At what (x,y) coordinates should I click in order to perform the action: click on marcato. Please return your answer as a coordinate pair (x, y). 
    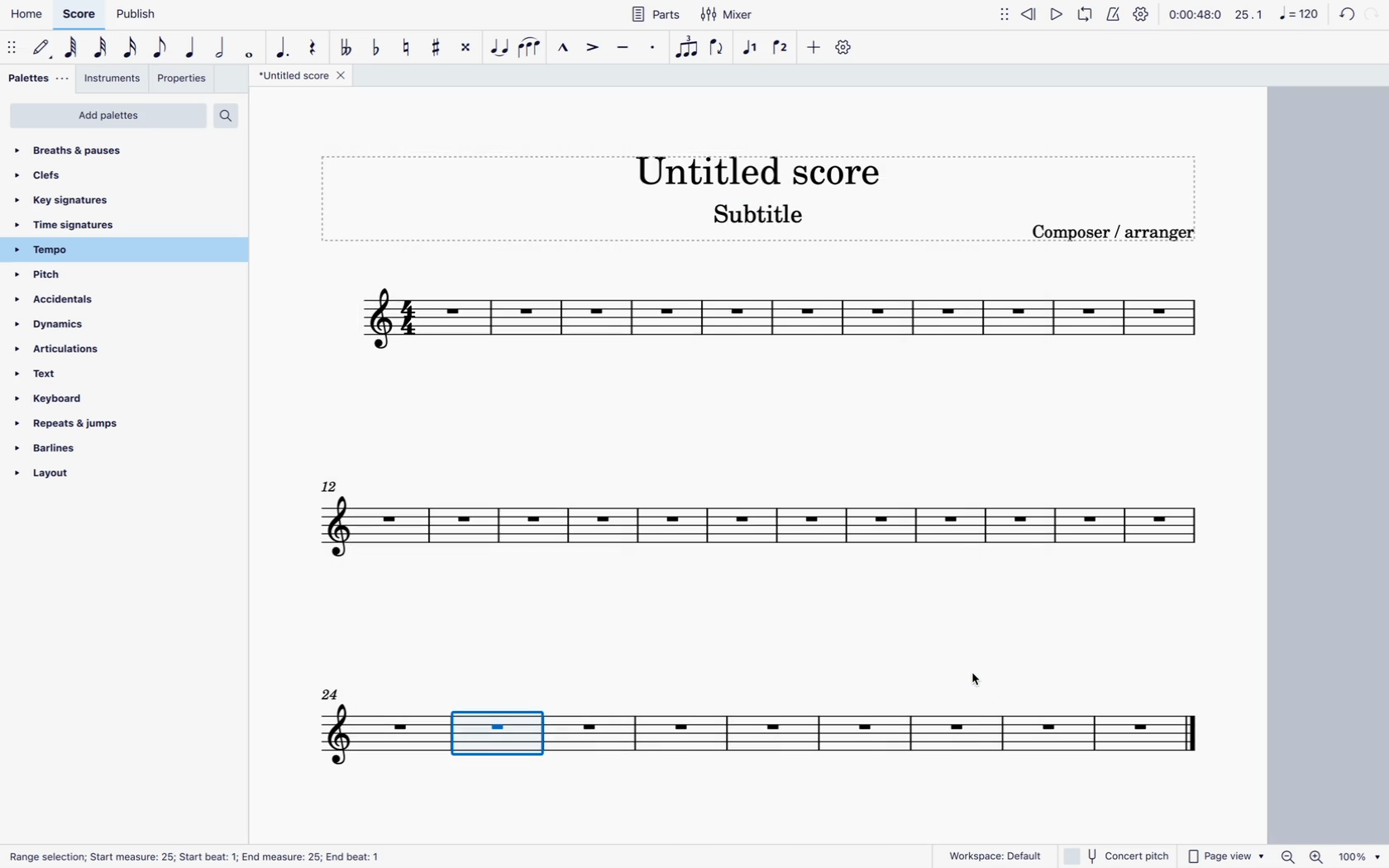
    Looking at the image, I should click on (565, 48).